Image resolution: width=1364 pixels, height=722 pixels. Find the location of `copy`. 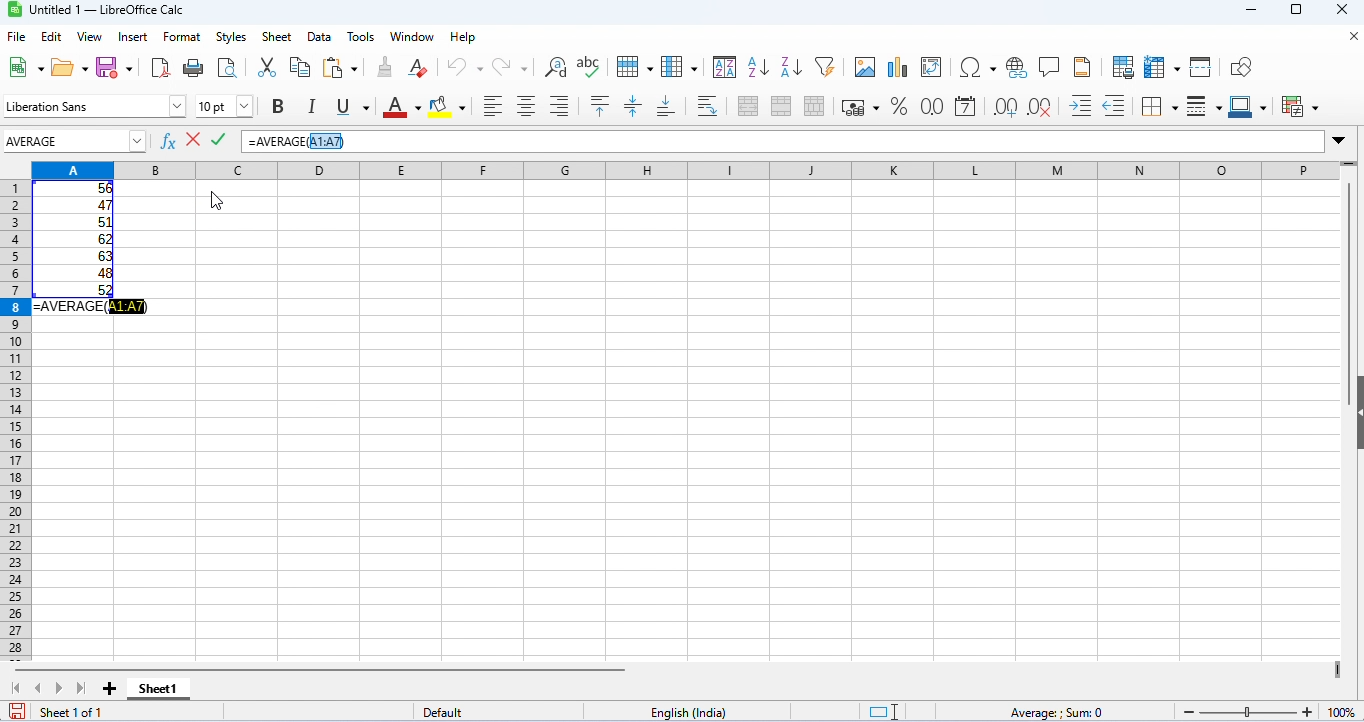

copy is located at coordinates (300, 67).